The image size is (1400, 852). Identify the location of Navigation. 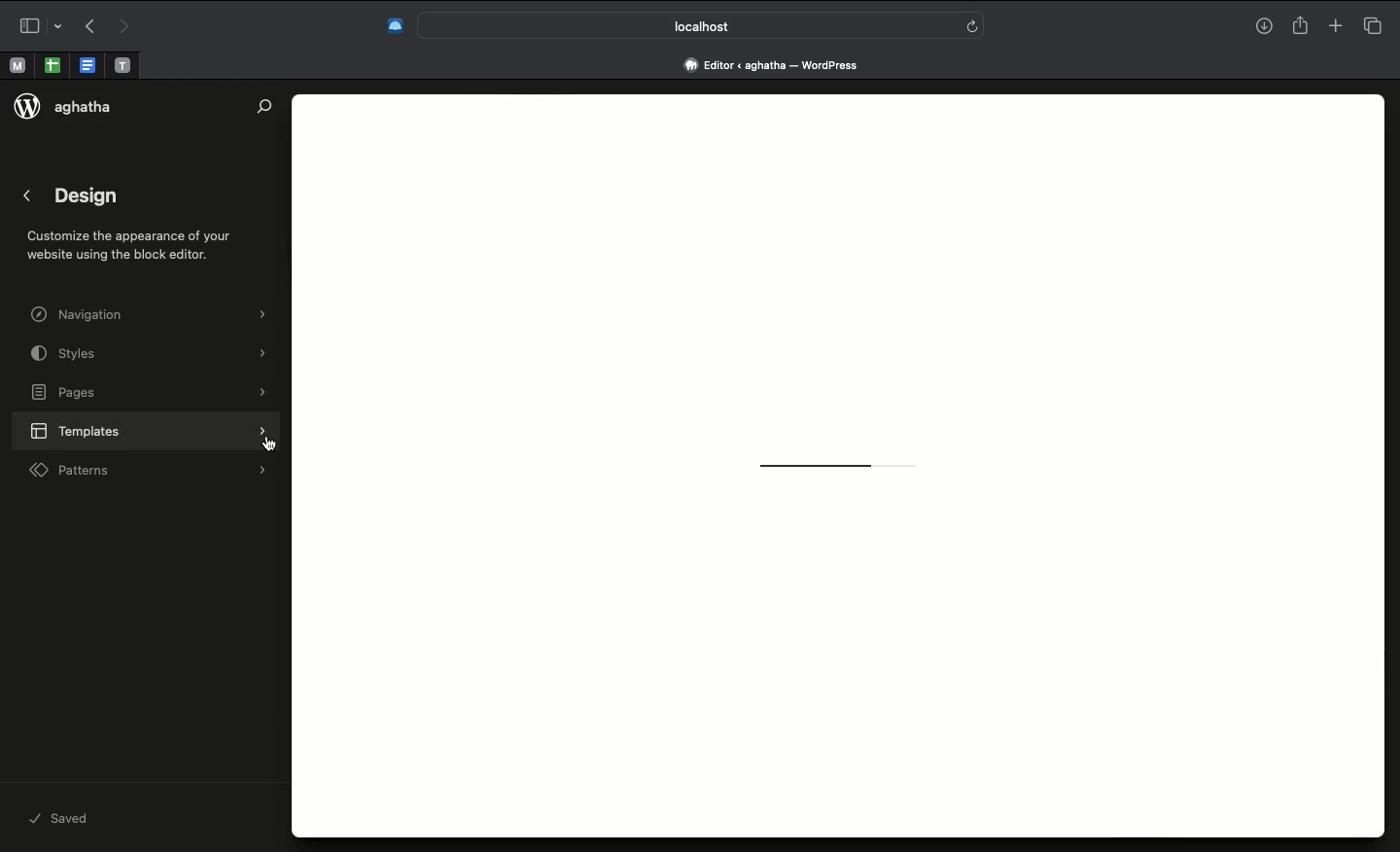
(152, 314).